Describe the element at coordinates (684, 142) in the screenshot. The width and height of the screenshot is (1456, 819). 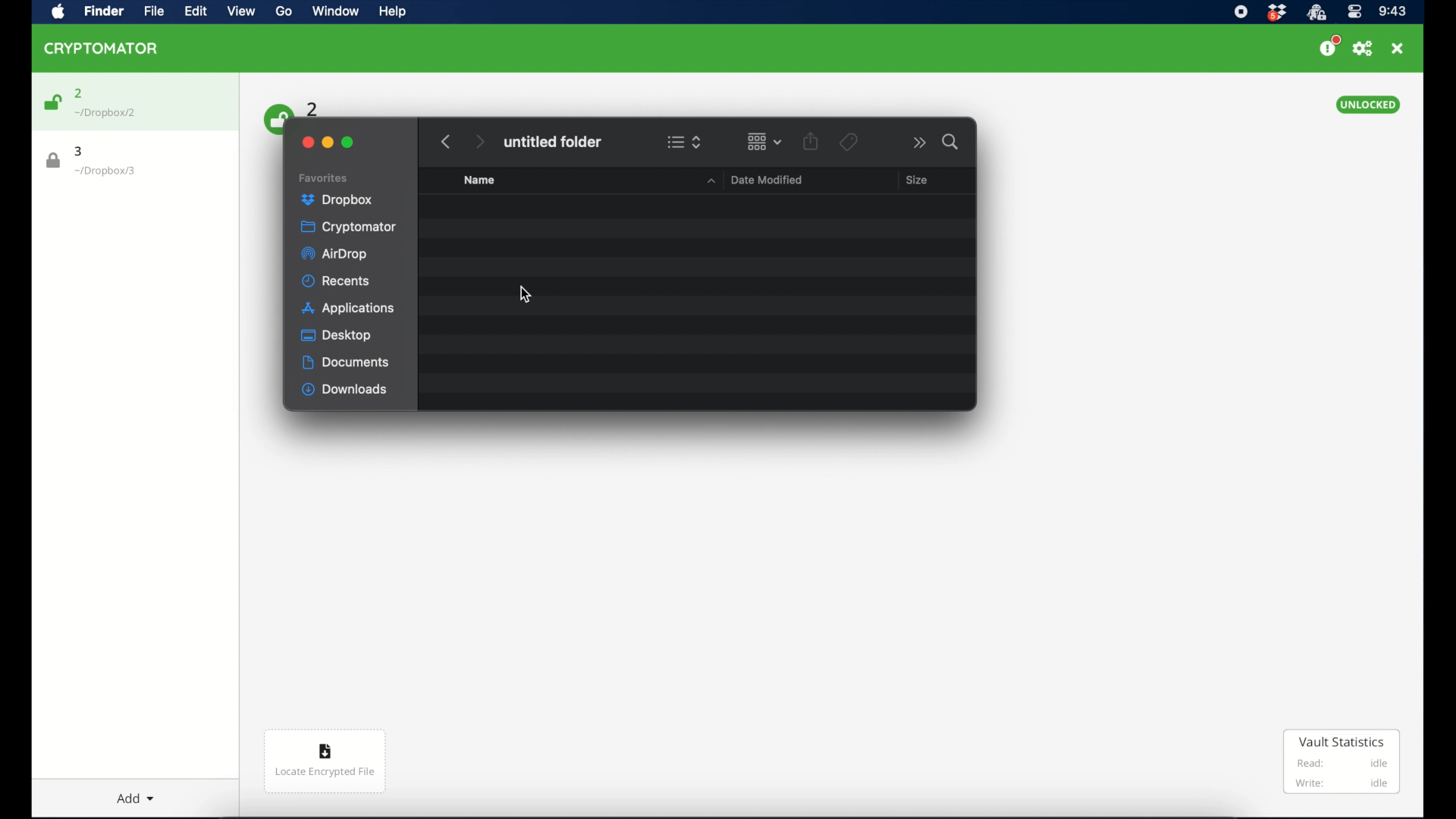
I see `view options` at that location.